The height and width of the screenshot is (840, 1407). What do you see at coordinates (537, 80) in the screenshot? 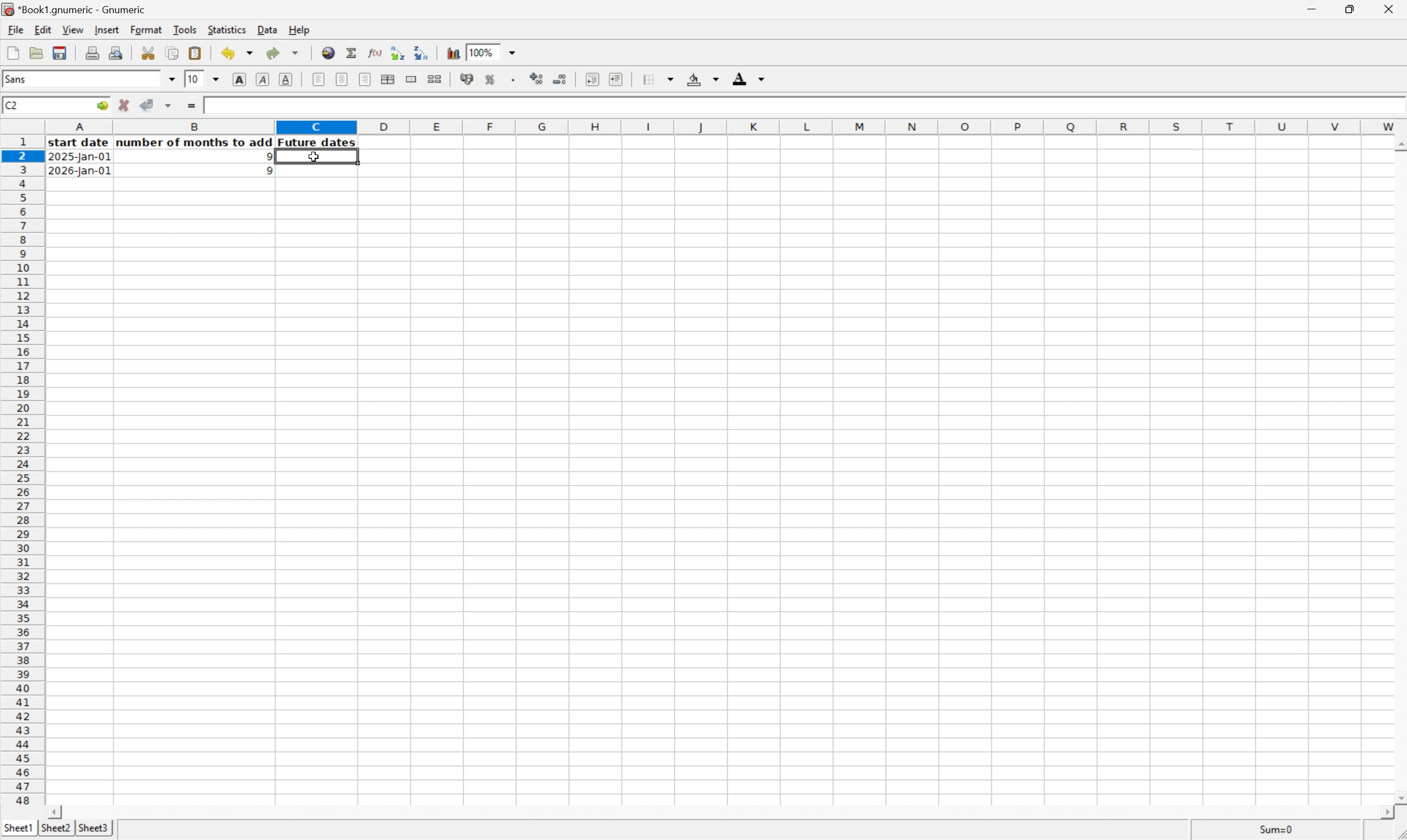
I see `Increase the number of decimals displayed` at bounding box center [537, 80].